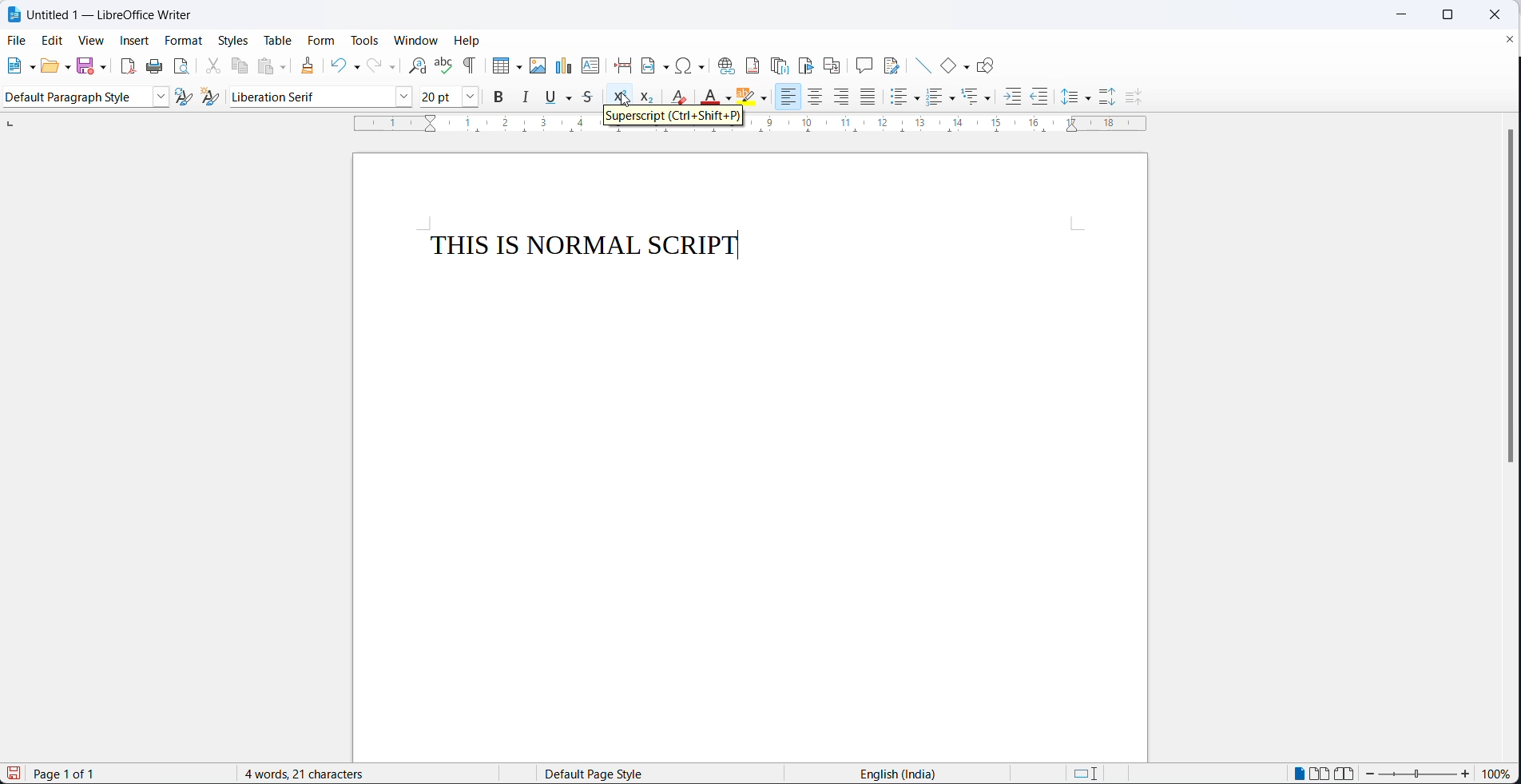 This screenshot has width=1521, height=784. Describe the element at coordinates (313, 774) in the screenshot. I see `word and character count` at that location.